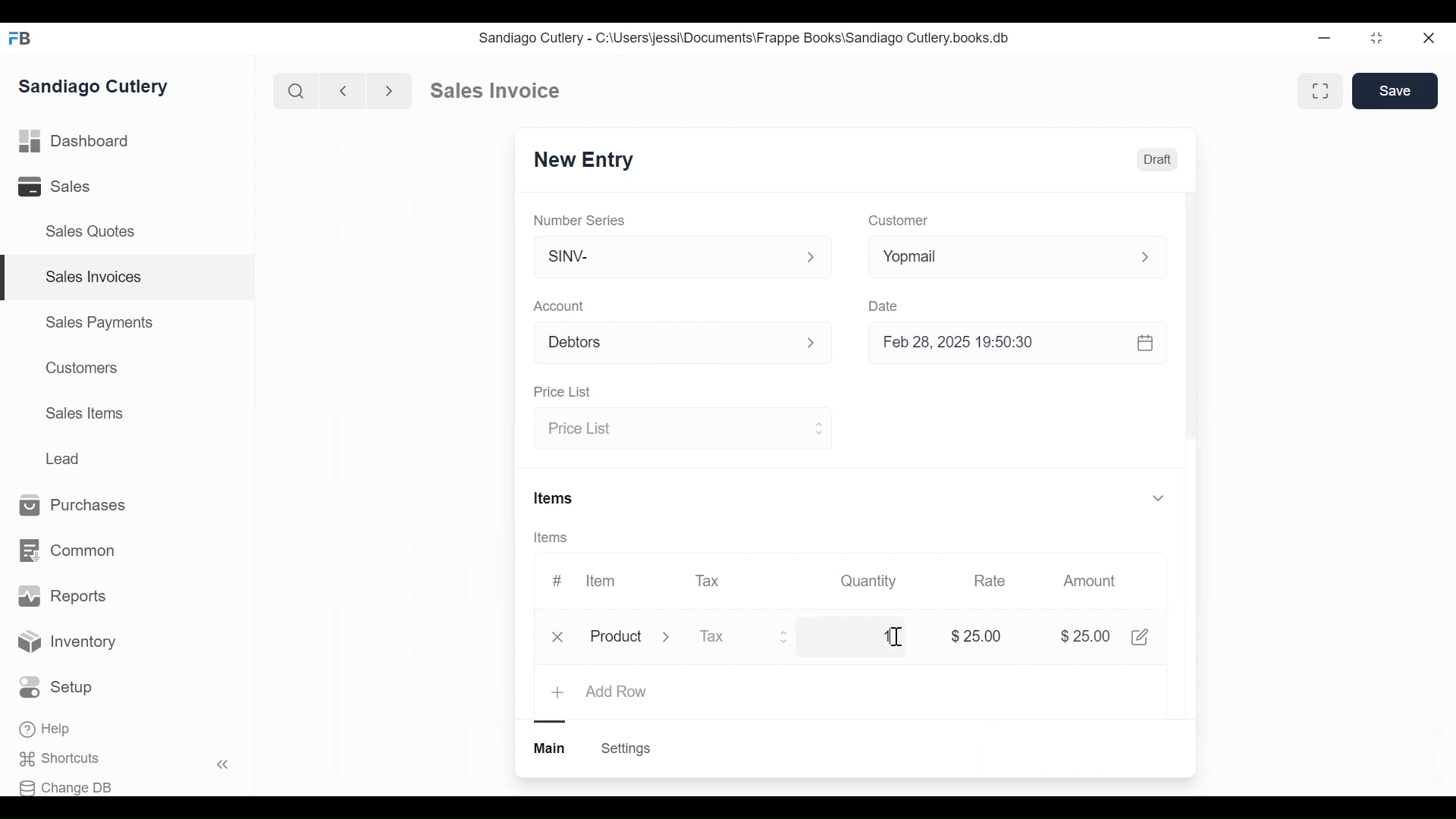  I want to click on Sales Payments, so click(98, 322).